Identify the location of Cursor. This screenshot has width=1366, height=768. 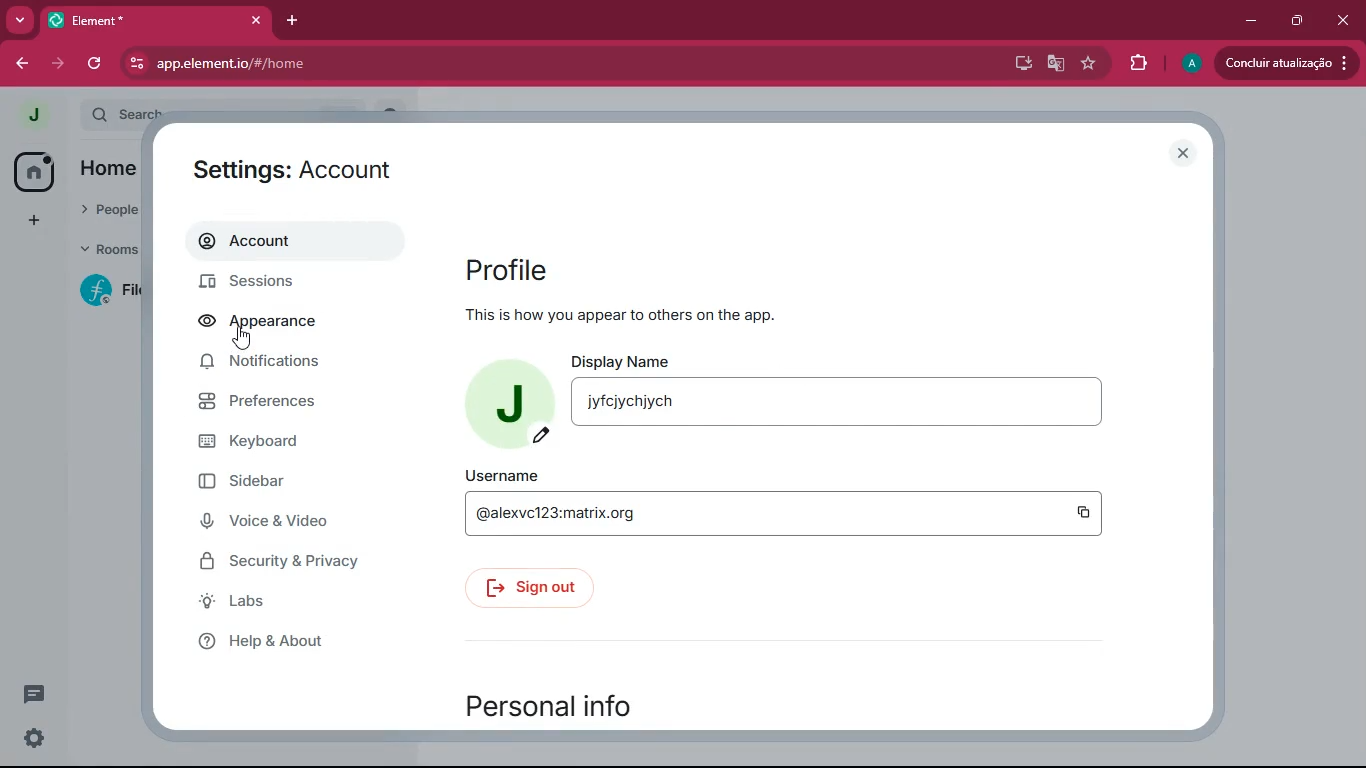
(242, 339).